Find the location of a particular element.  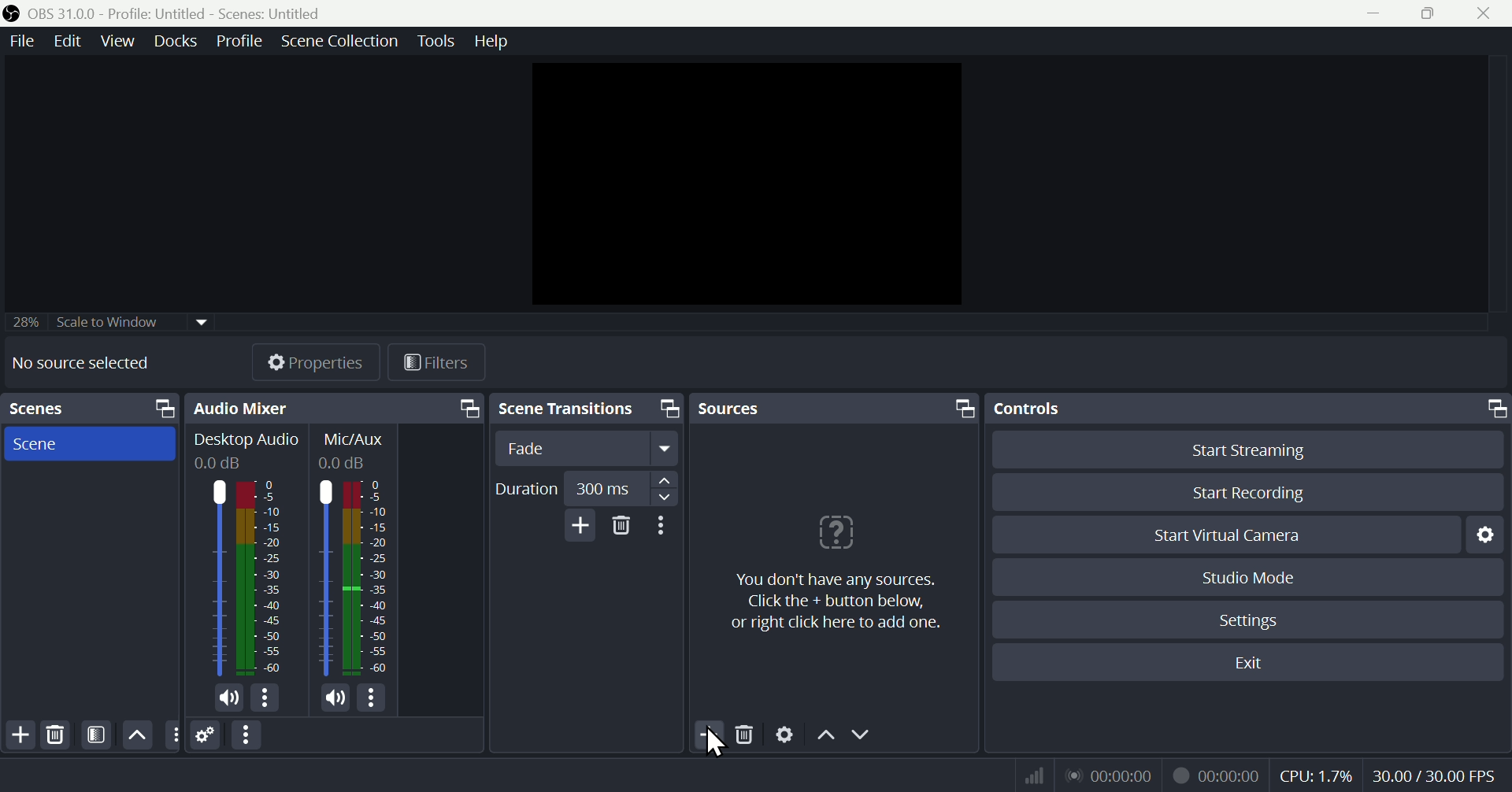

minimize is located at coordinates (1379, 13).